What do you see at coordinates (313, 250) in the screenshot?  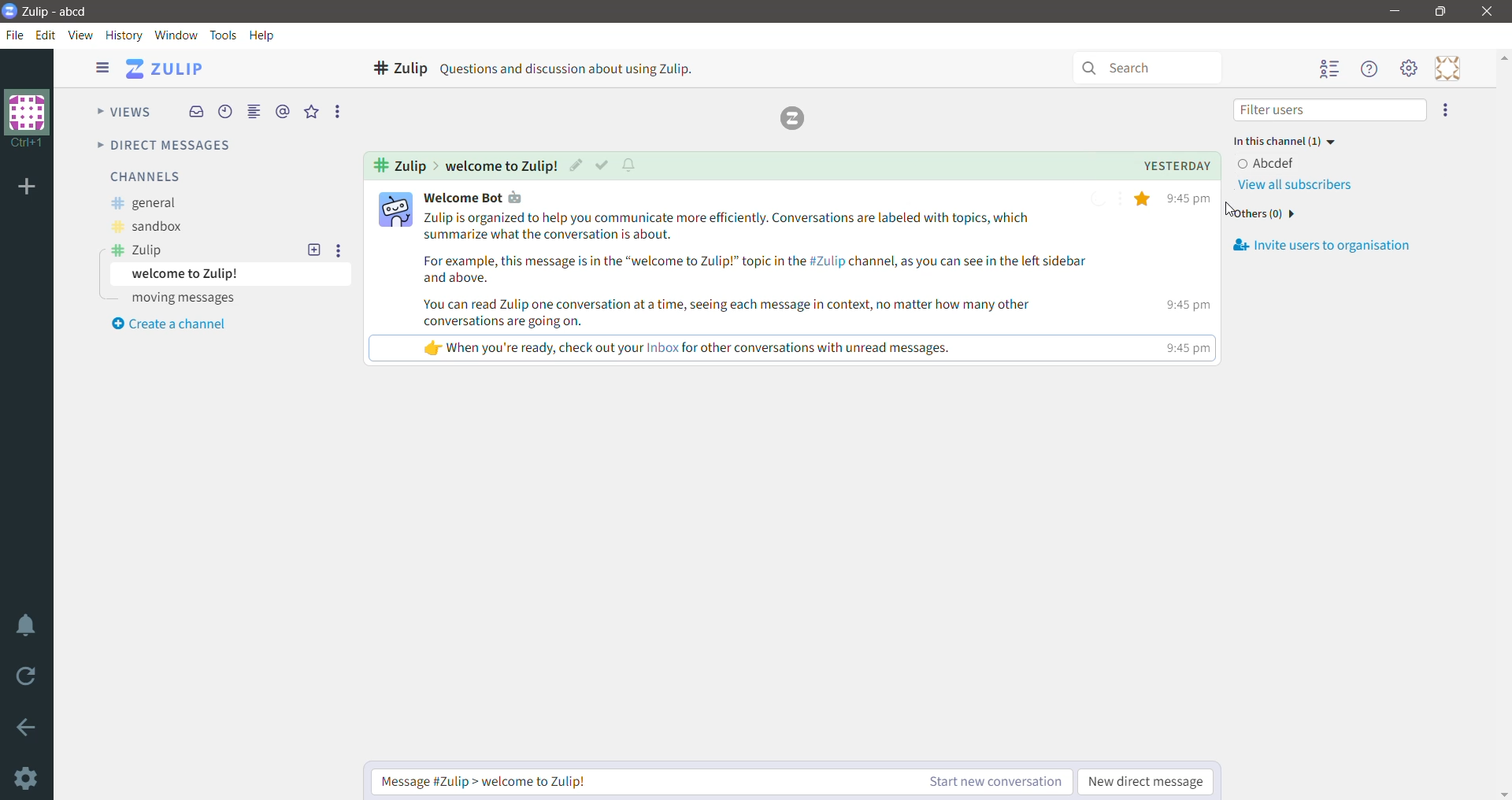 I see `New topic` at bounding box center [313, 250].